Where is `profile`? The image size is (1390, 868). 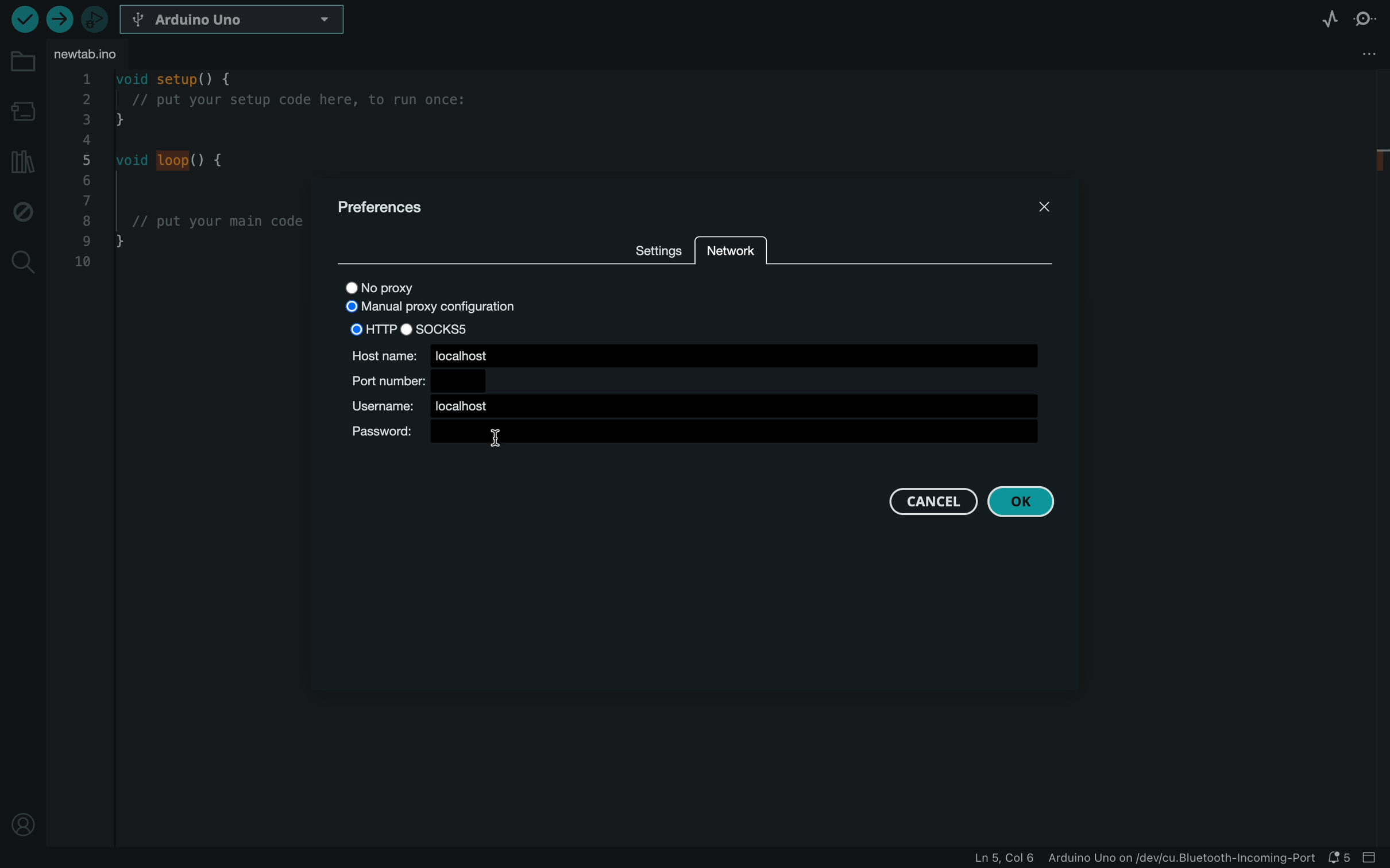 profile is located at coordinates (23, 826).